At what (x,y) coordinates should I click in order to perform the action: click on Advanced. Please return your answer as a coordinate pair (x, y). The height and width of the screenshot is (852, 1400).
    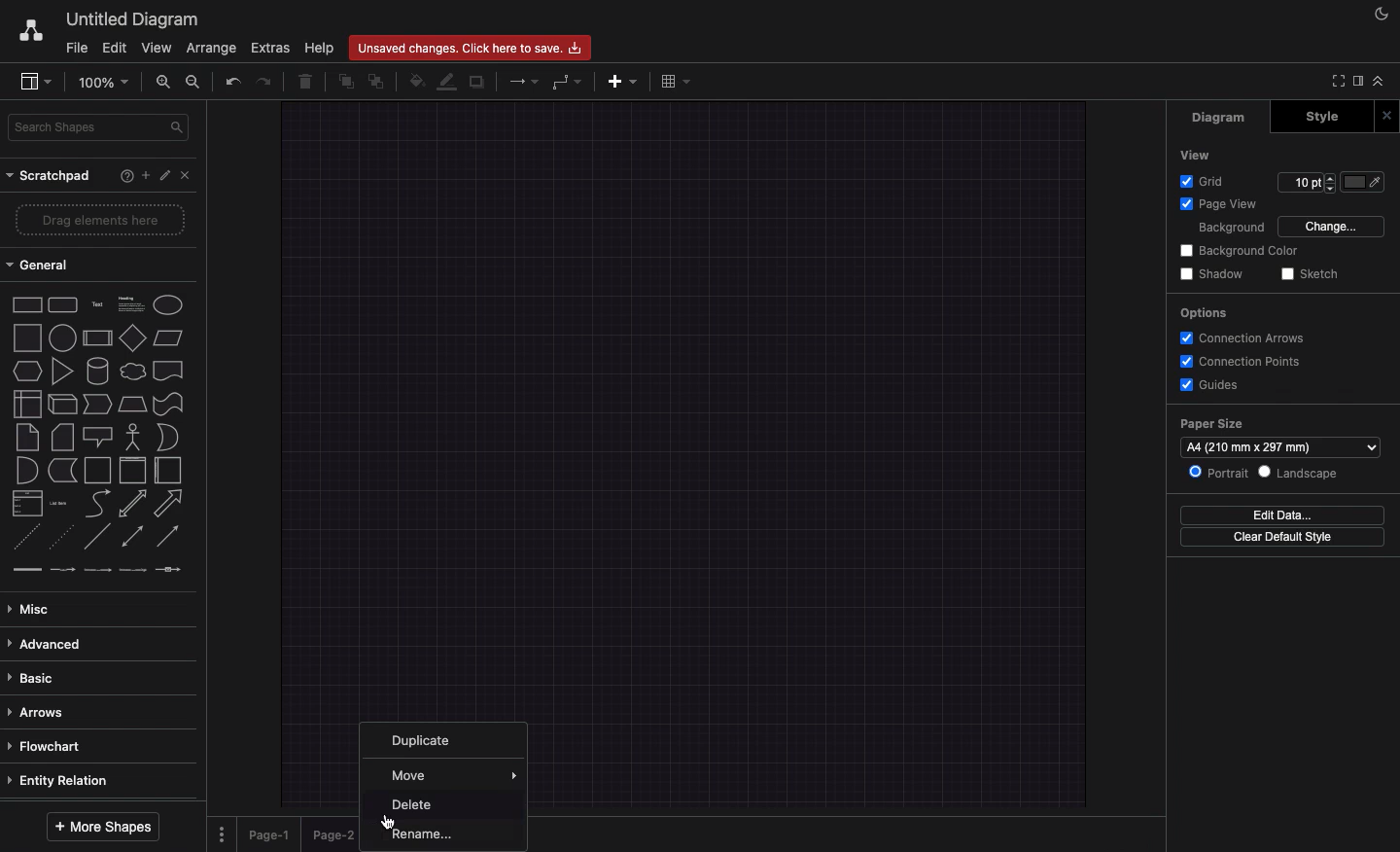
    Looking at the image, I should click on (51, 644).